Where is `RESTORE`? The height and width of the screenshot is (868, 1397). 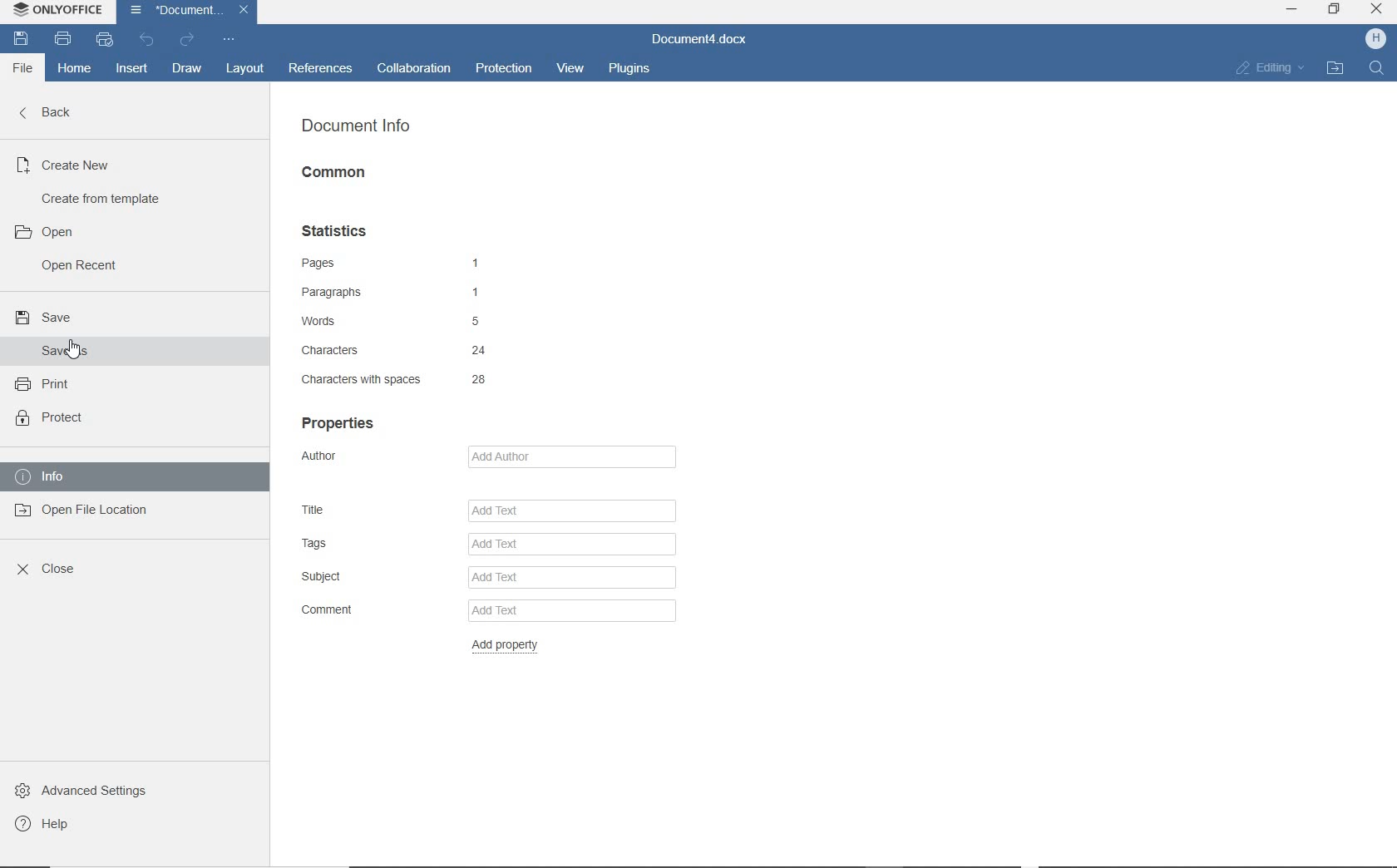
RESTORE is located at coordinates (1335, 9).